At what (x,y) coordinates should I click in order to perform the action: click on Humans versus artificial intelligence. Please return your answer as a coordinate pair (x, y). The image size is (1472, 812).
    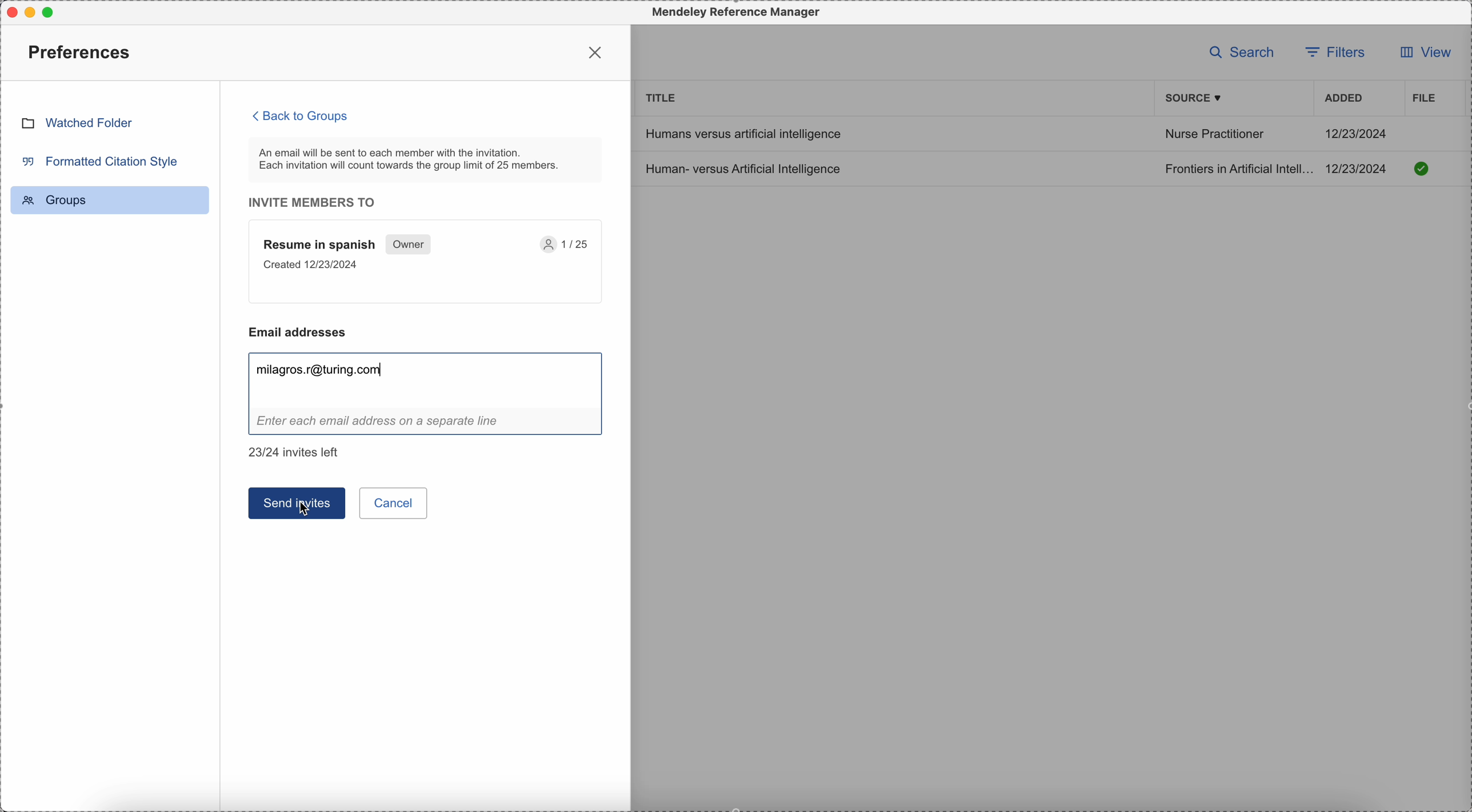
    Looking at the image, I should click on (742, 133).